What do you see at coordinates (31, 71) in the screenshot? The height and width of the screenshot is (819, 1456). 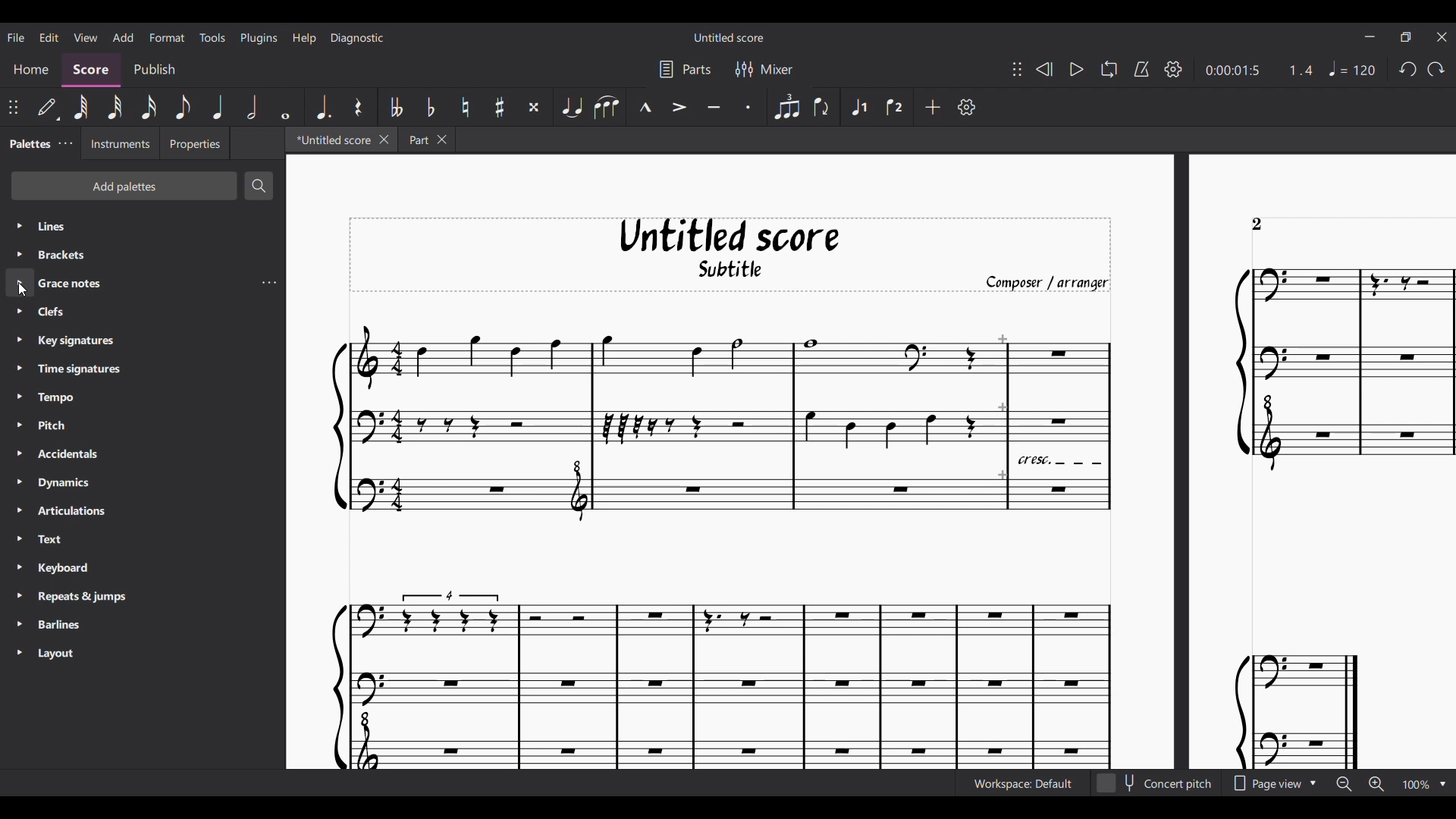 I see `Home section` at bounding box center [31, 71].